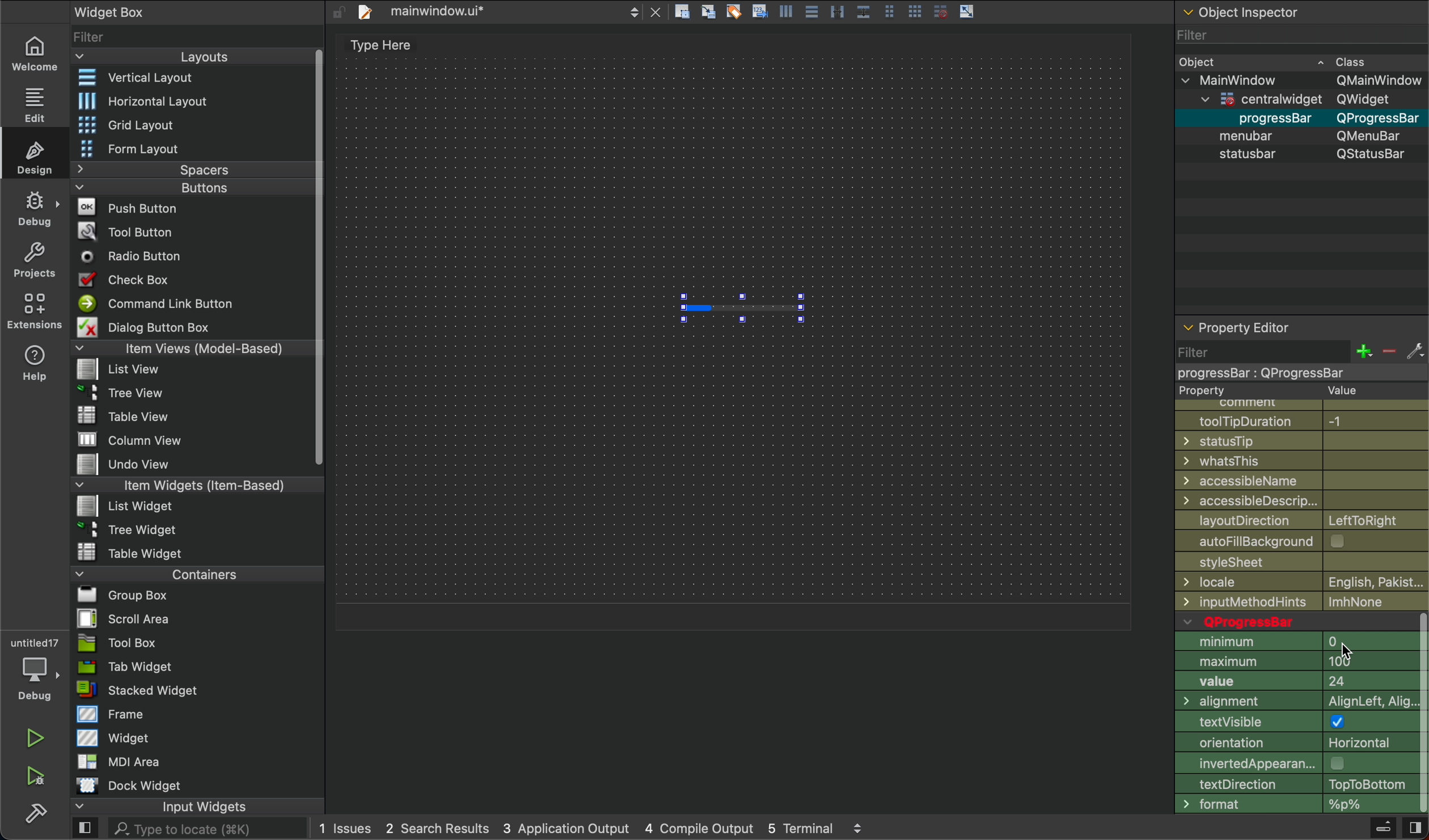  I want to click on layoutDirection, so click(1302, 519).